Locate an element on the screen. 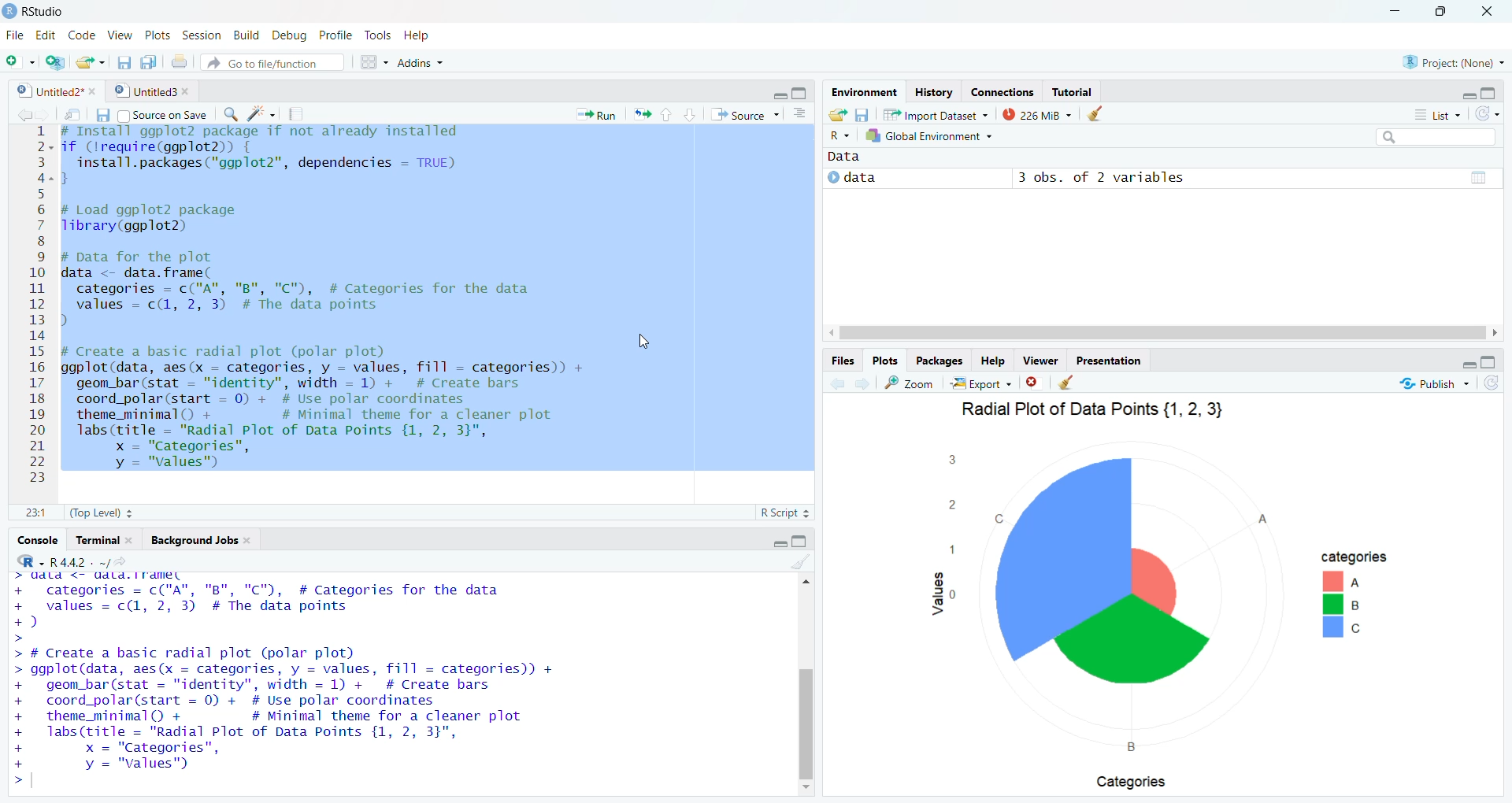 This screenshot has width=1512, height=803. workspace panes is located at coordinates (376, 61).